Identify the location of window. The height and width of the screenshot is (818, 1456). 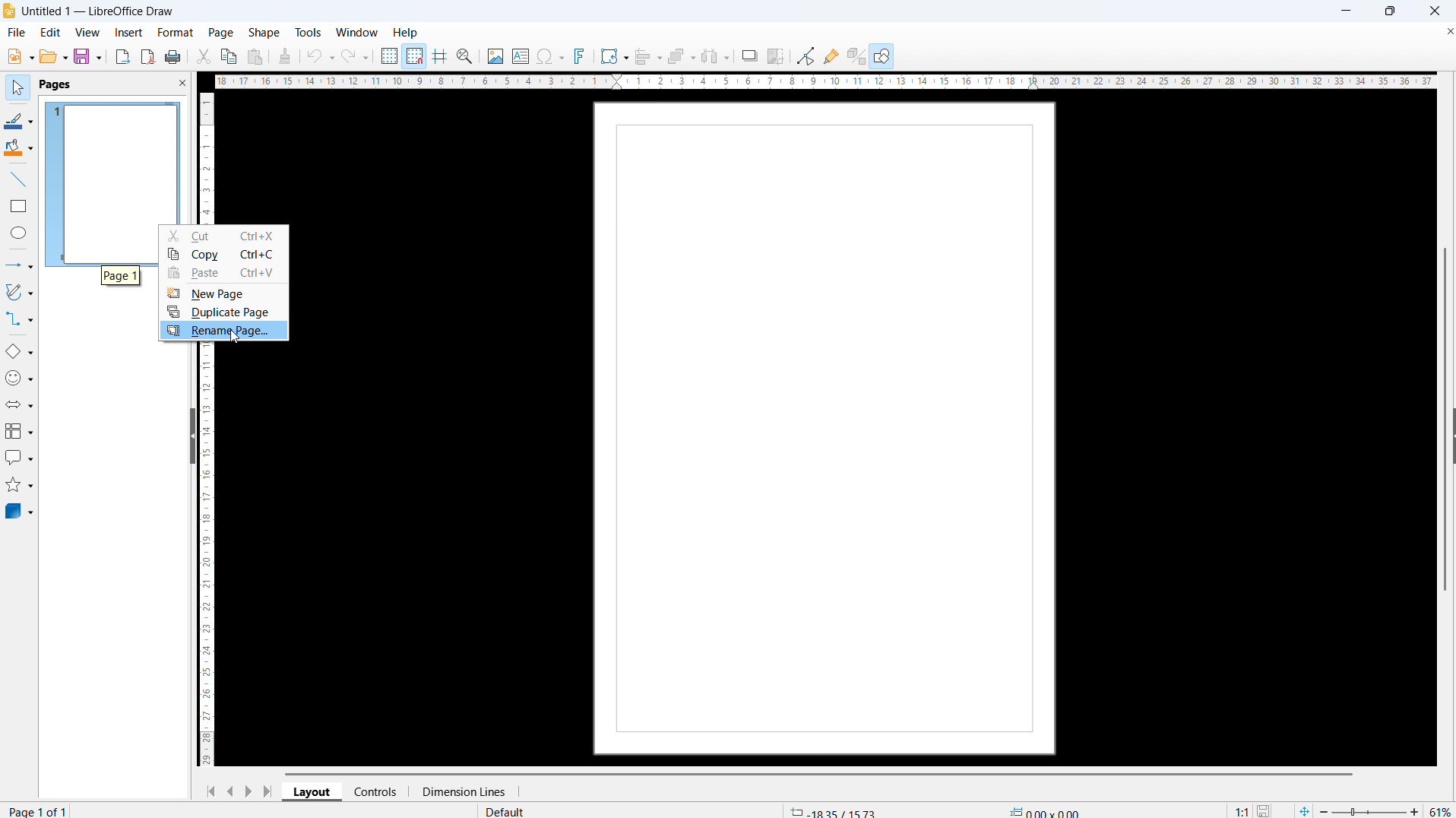
(357, 32).